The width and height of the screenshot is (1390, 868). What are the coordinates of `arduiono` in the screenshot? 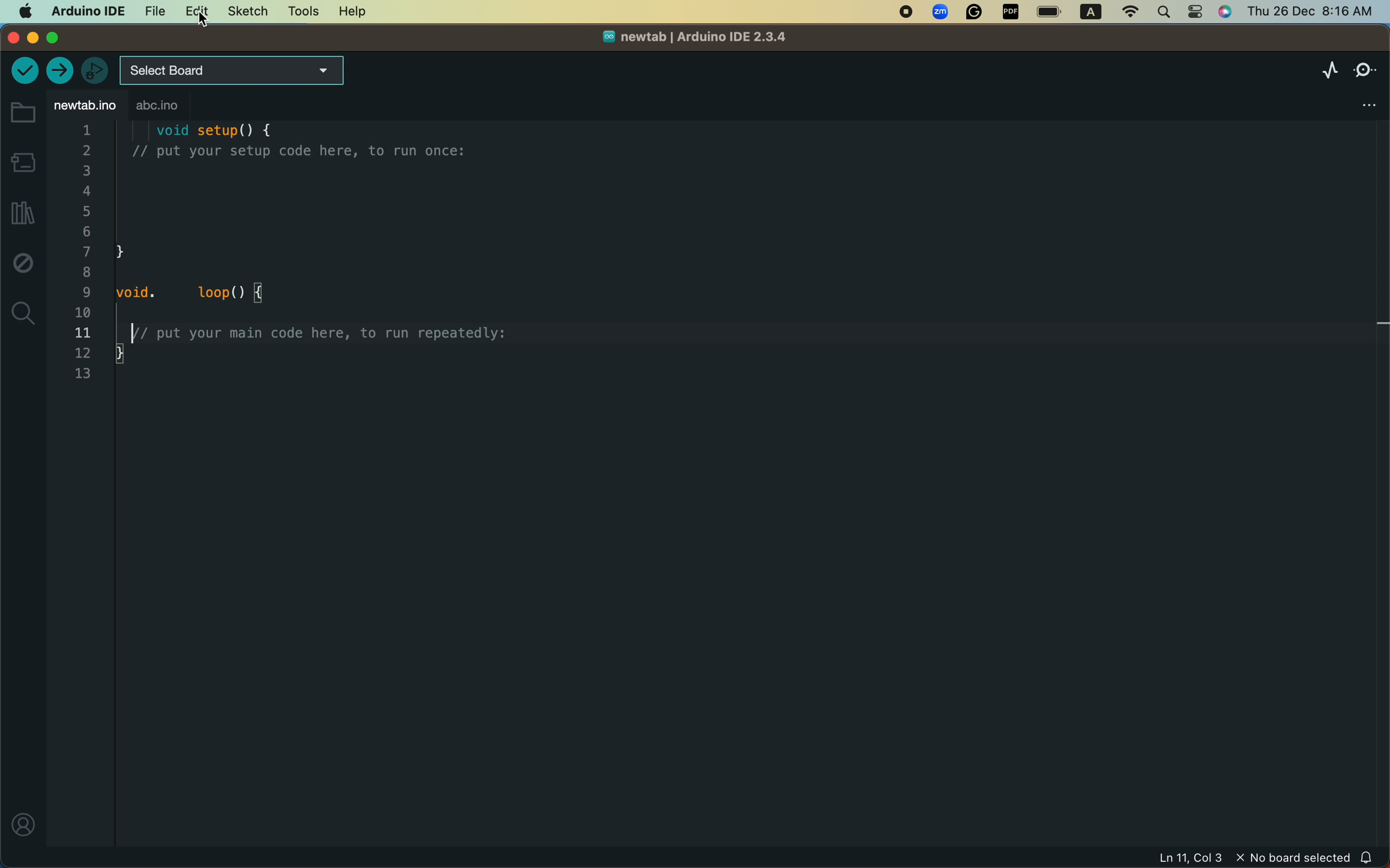 It's located at (84, 10).